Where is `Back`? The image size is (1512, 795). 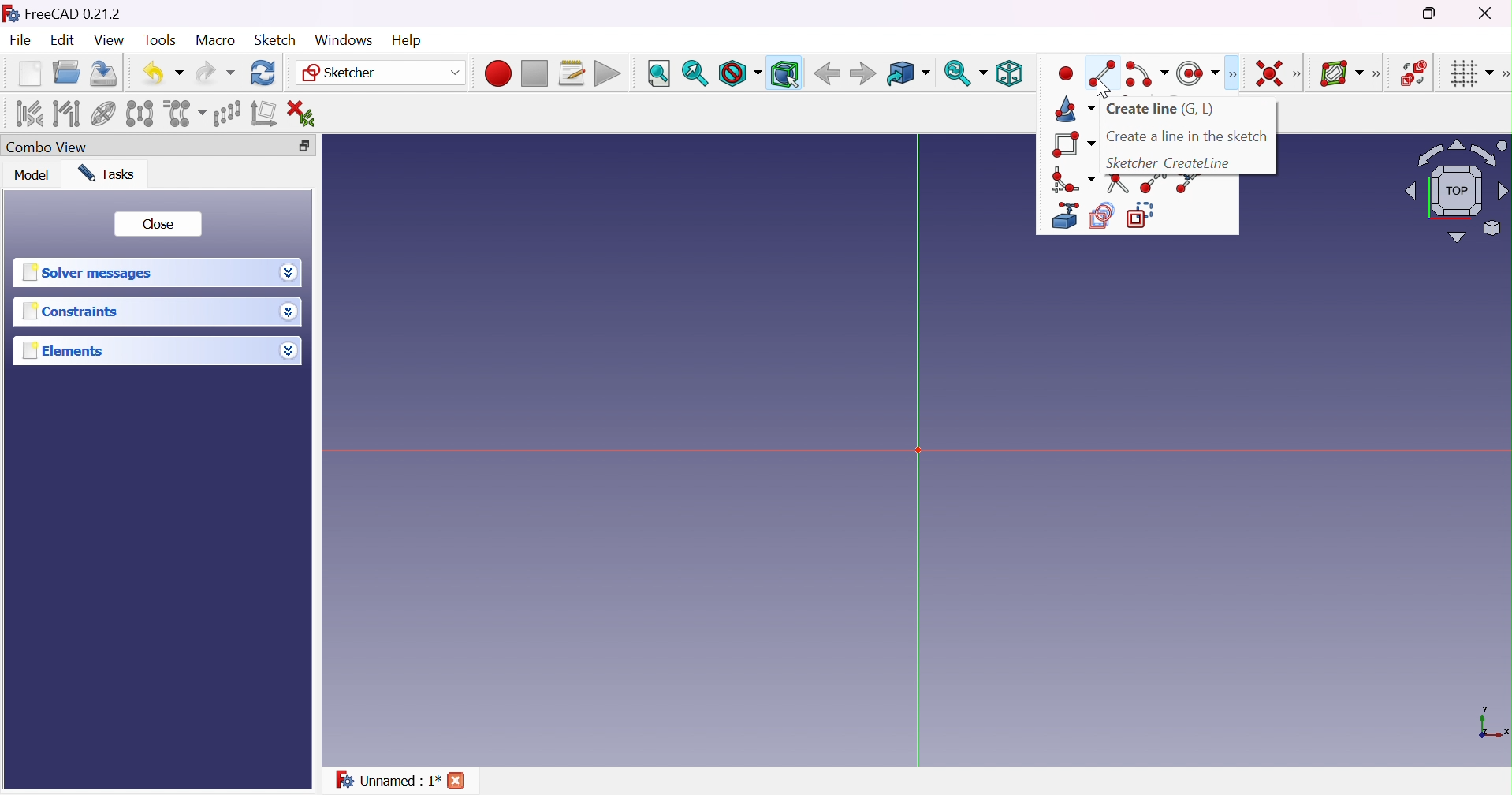 Back is located at coordinates (827, 74).